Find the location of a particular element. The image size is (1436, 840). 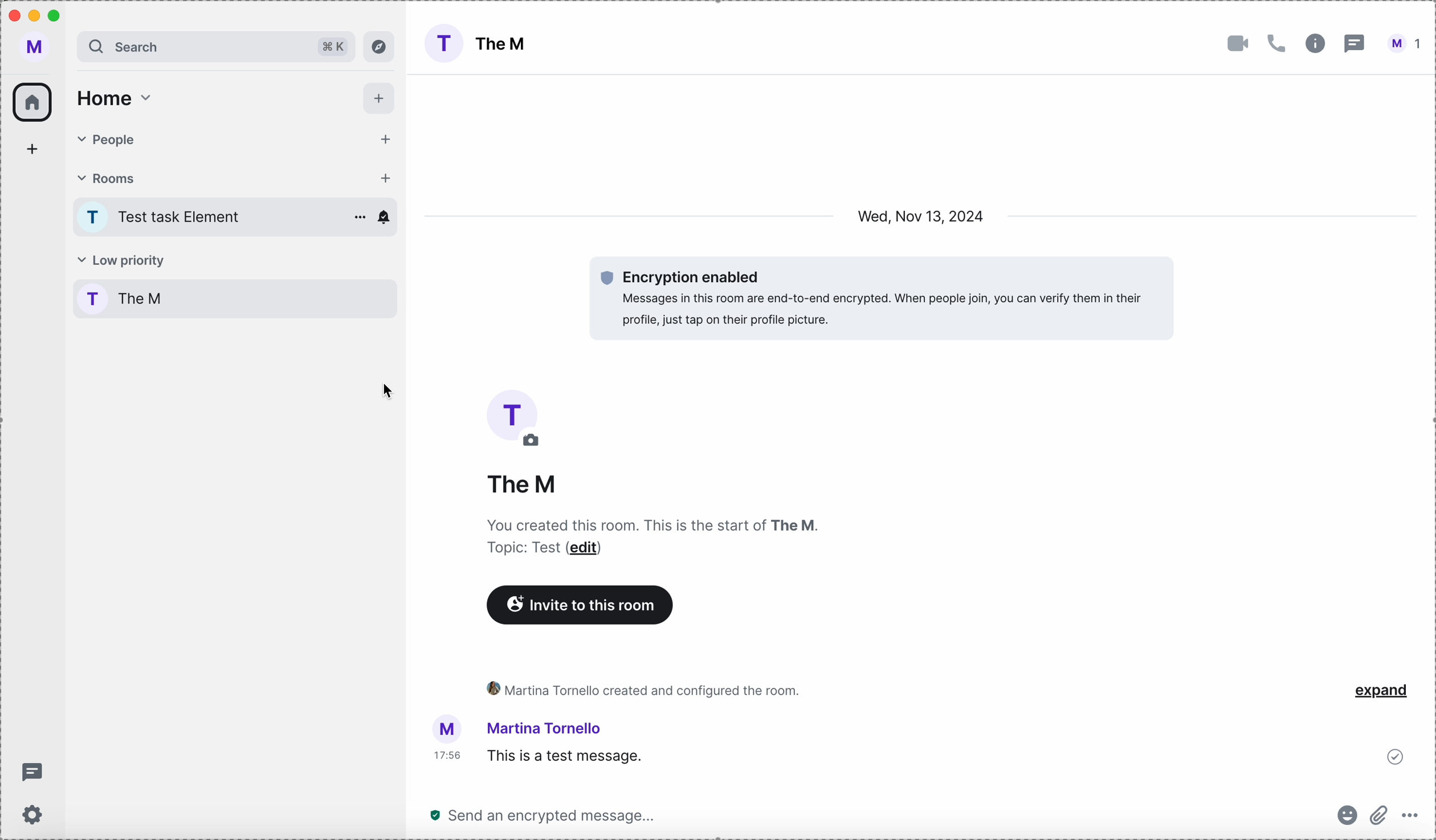

encryption enabled is located at coordinates (879, 297).